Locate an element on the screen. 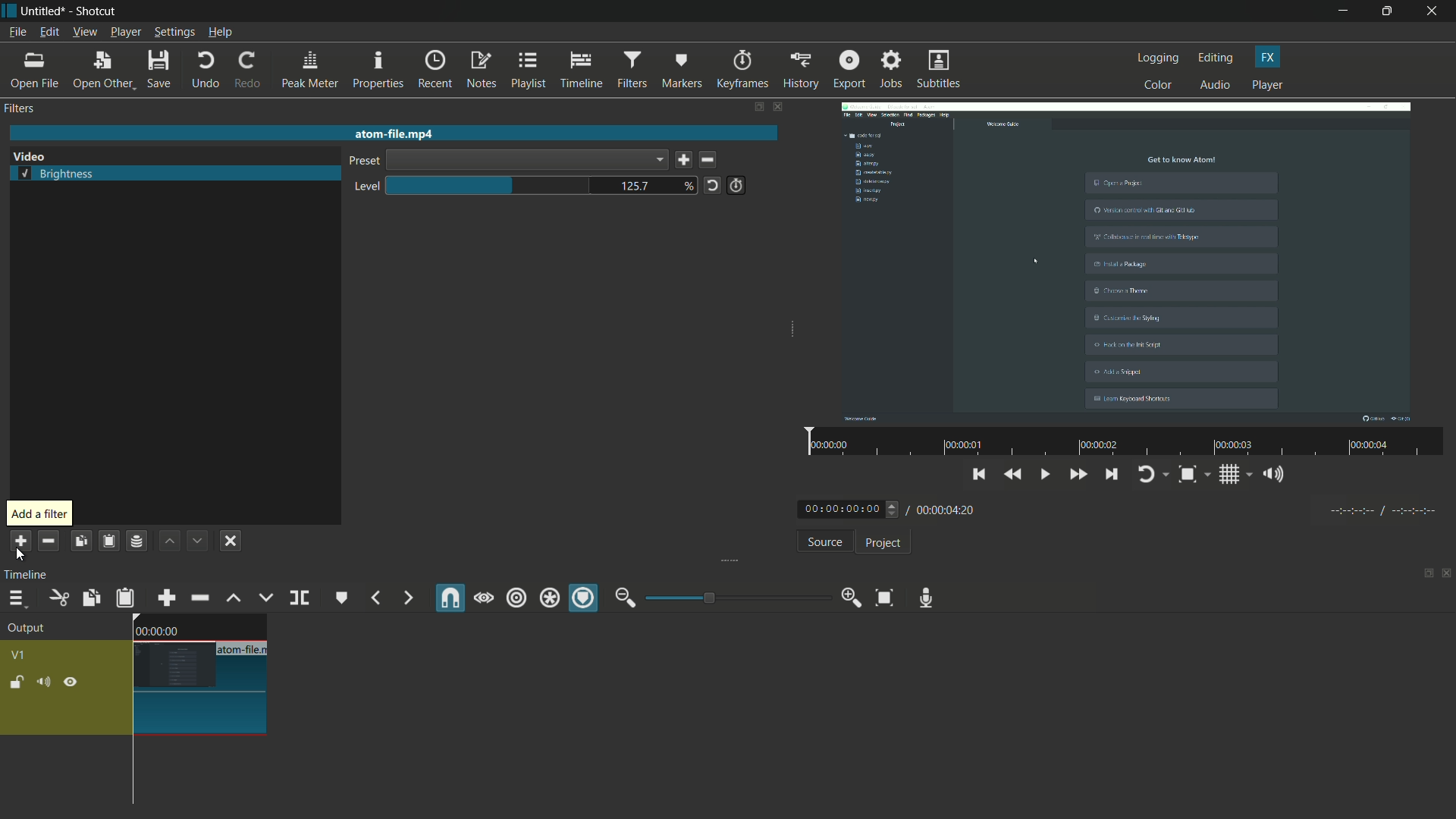 This screenshot has width=1456, height=819. brightness is located at coordinates (58, 175).